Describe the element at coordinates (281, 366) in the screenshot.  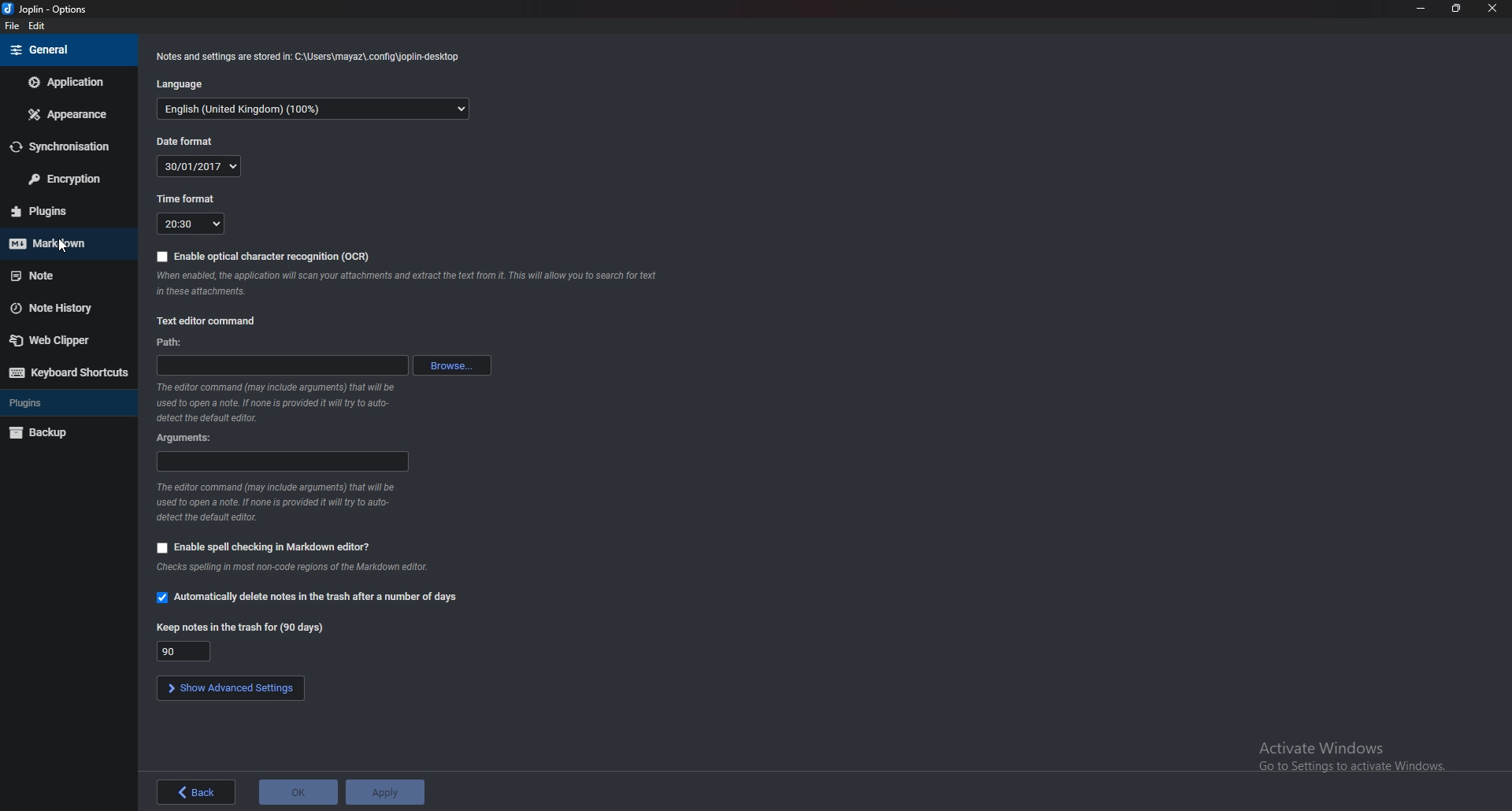
I see `path` at that location.